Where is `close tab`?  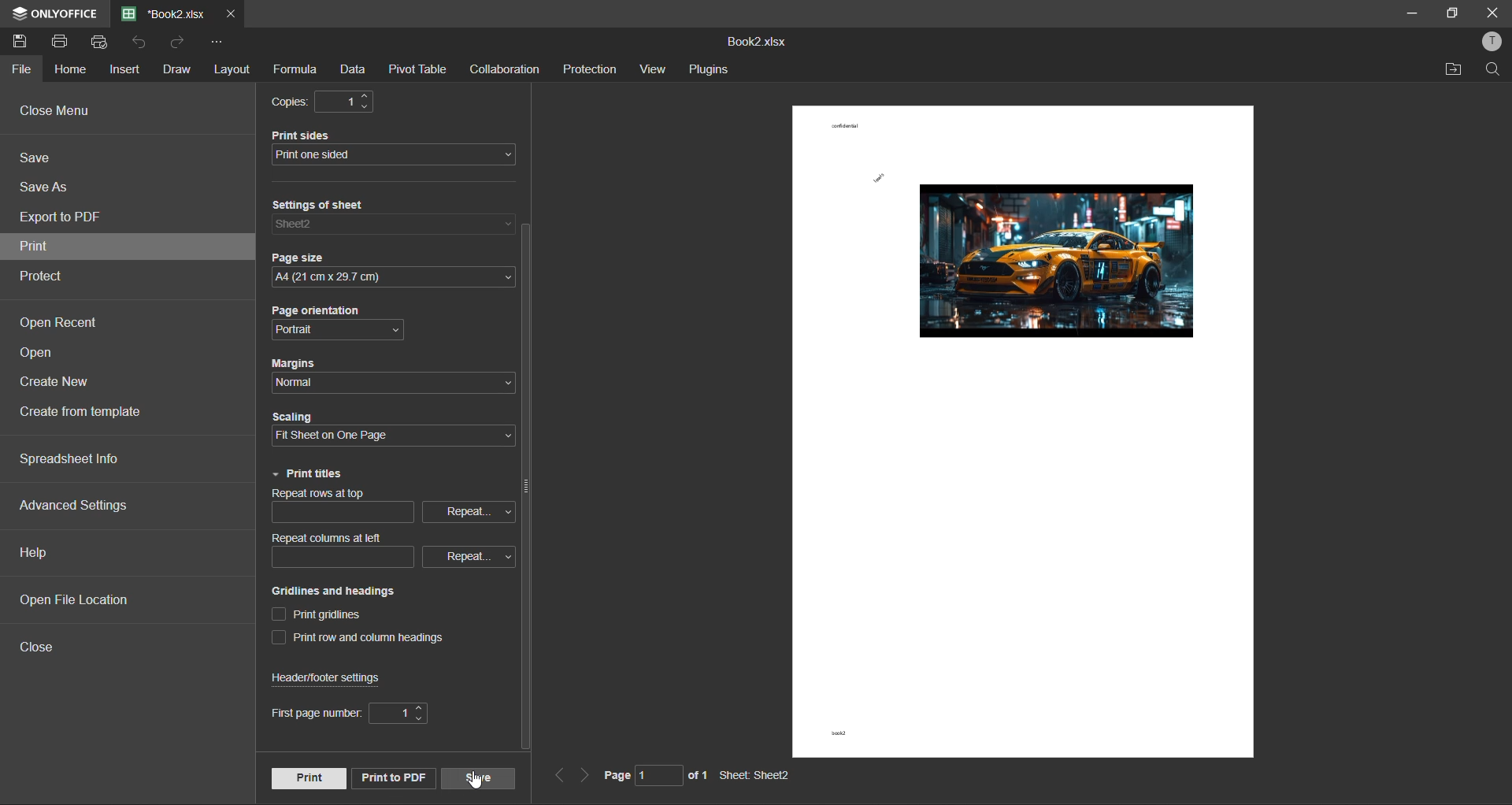 close tab is located at coordinates (230, 10).